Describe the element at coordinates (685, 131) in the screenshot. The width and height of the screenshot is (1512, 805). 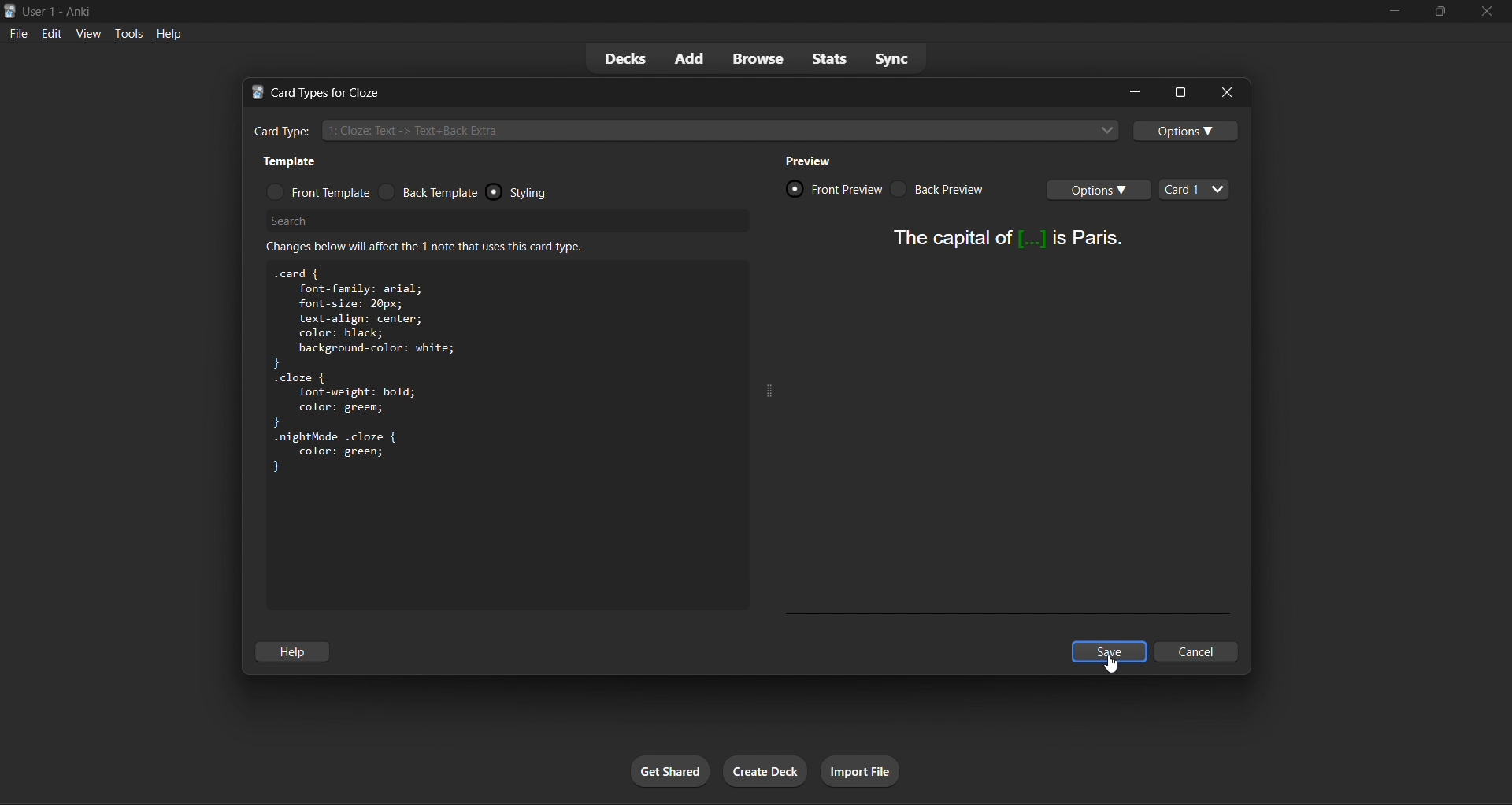
I see `cloze card type input box ` at that location.